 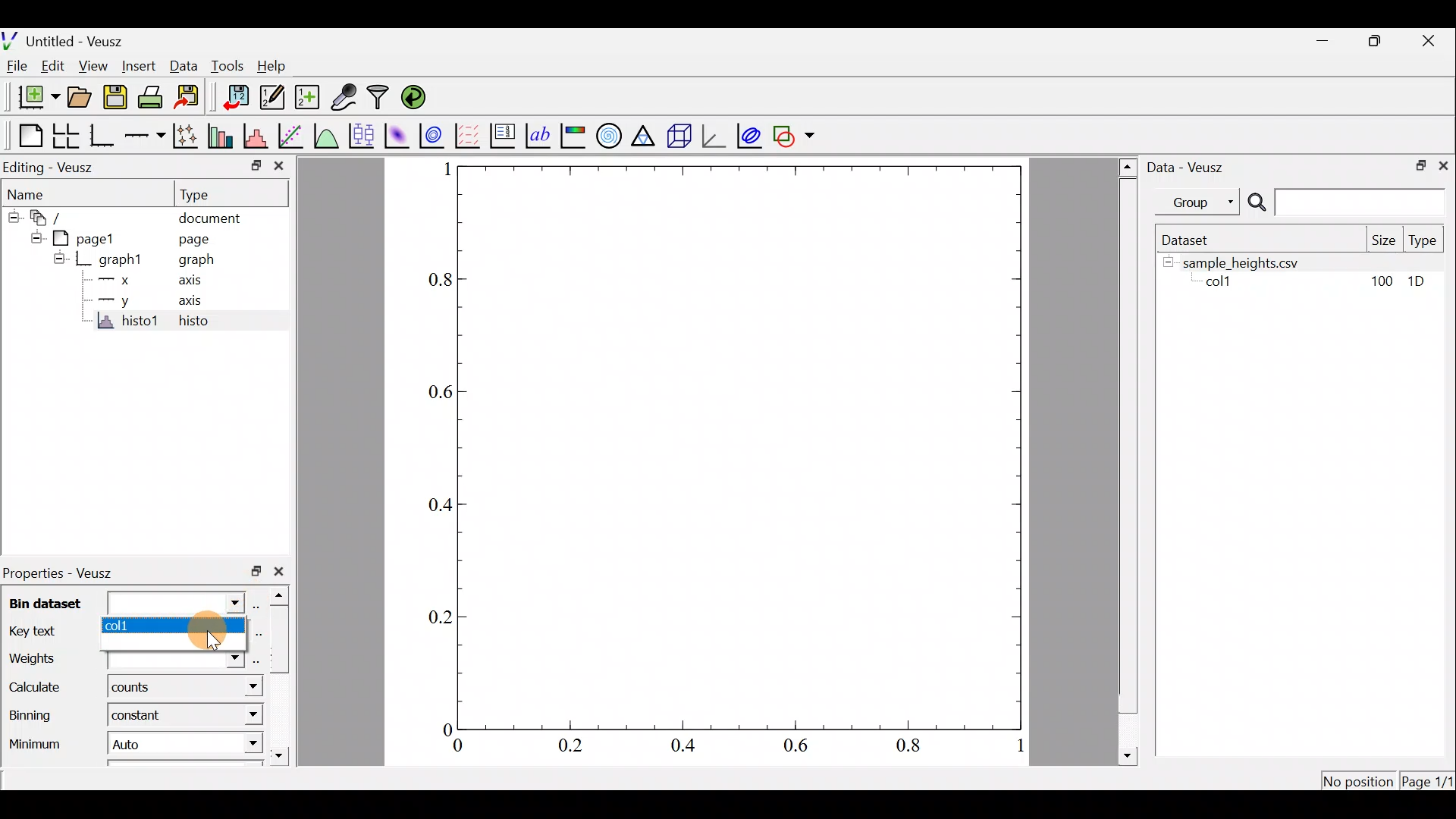 I want to click on graph1, so click(x=118, y=260).